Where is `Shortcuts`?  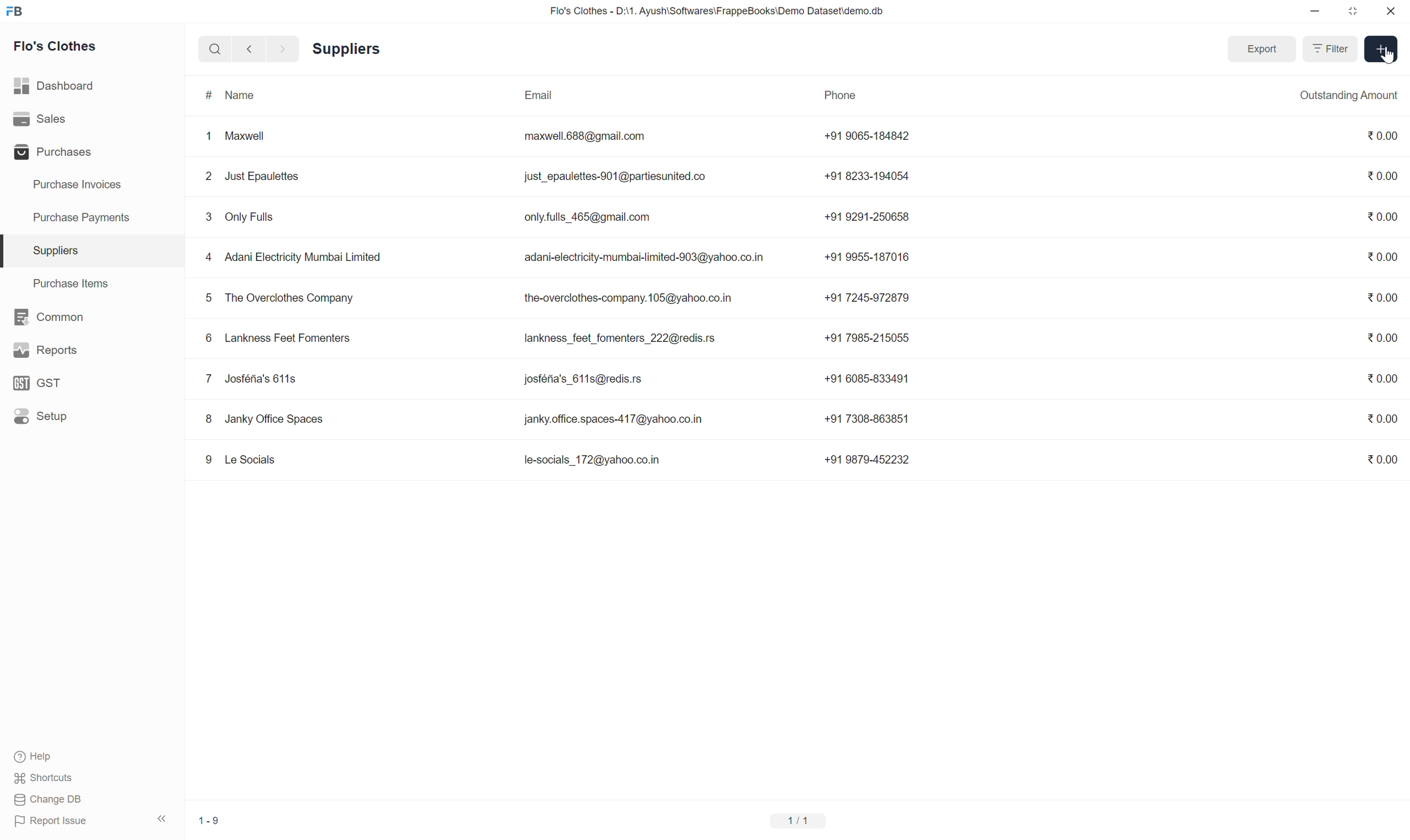 Shortcuts is located at coordinates (44, 778).